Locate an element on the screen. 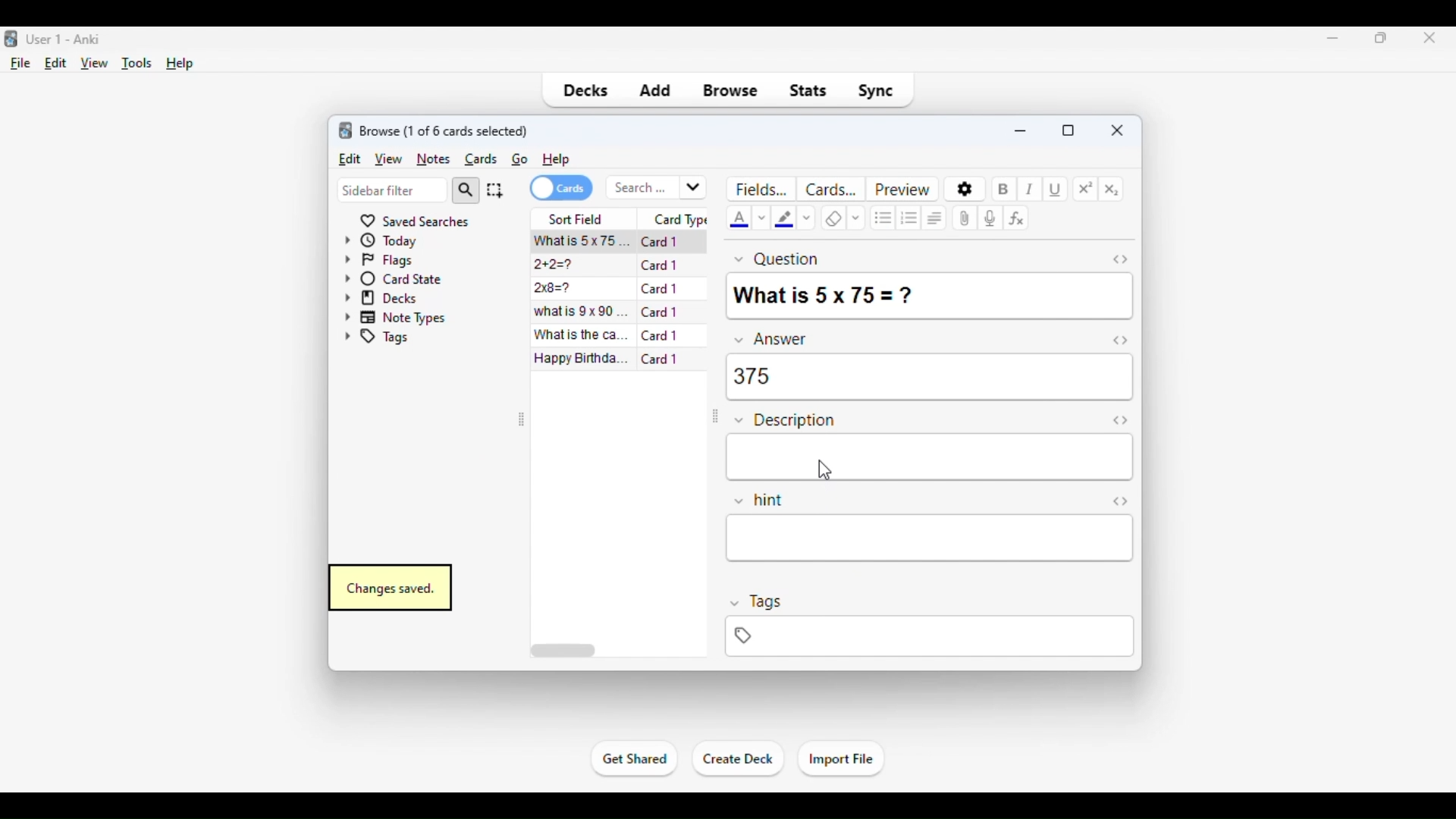 The width and height of the screenshot is (1456, 819). add is located at coordinates (654, 91).